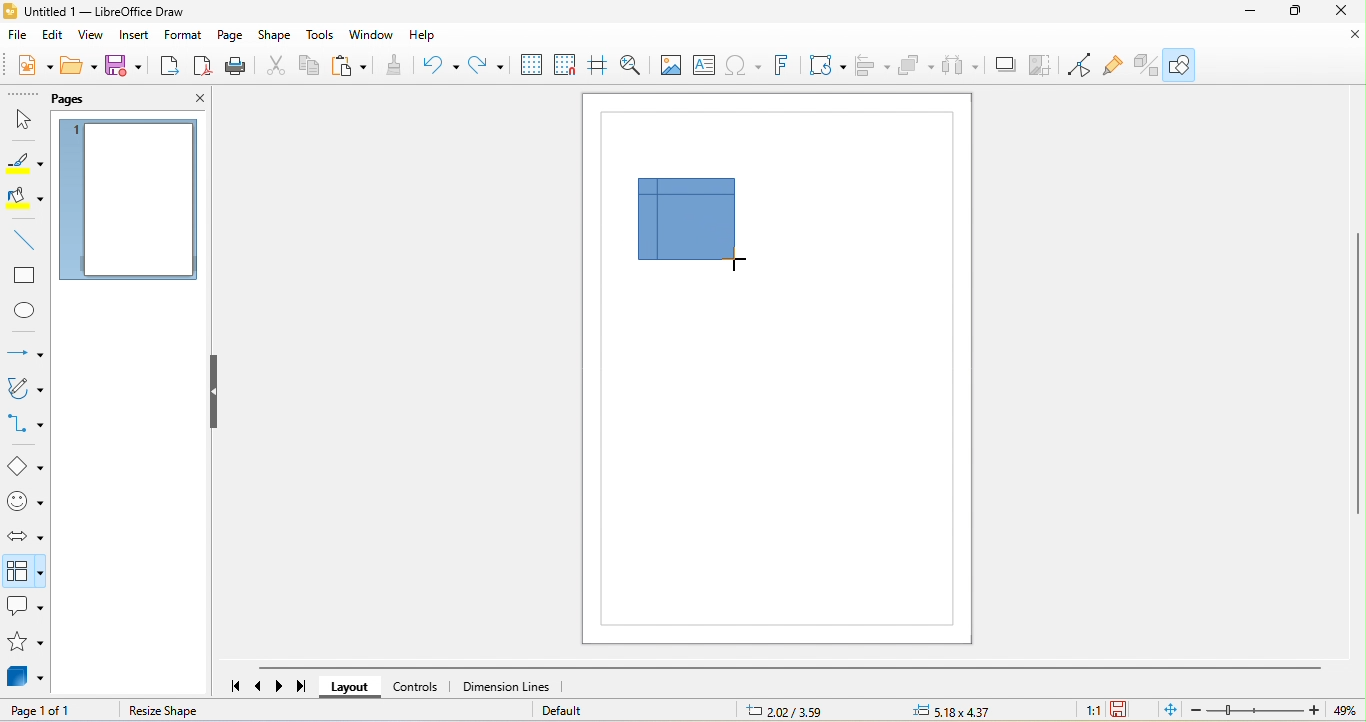  I want to click on default, so click(579, 710).